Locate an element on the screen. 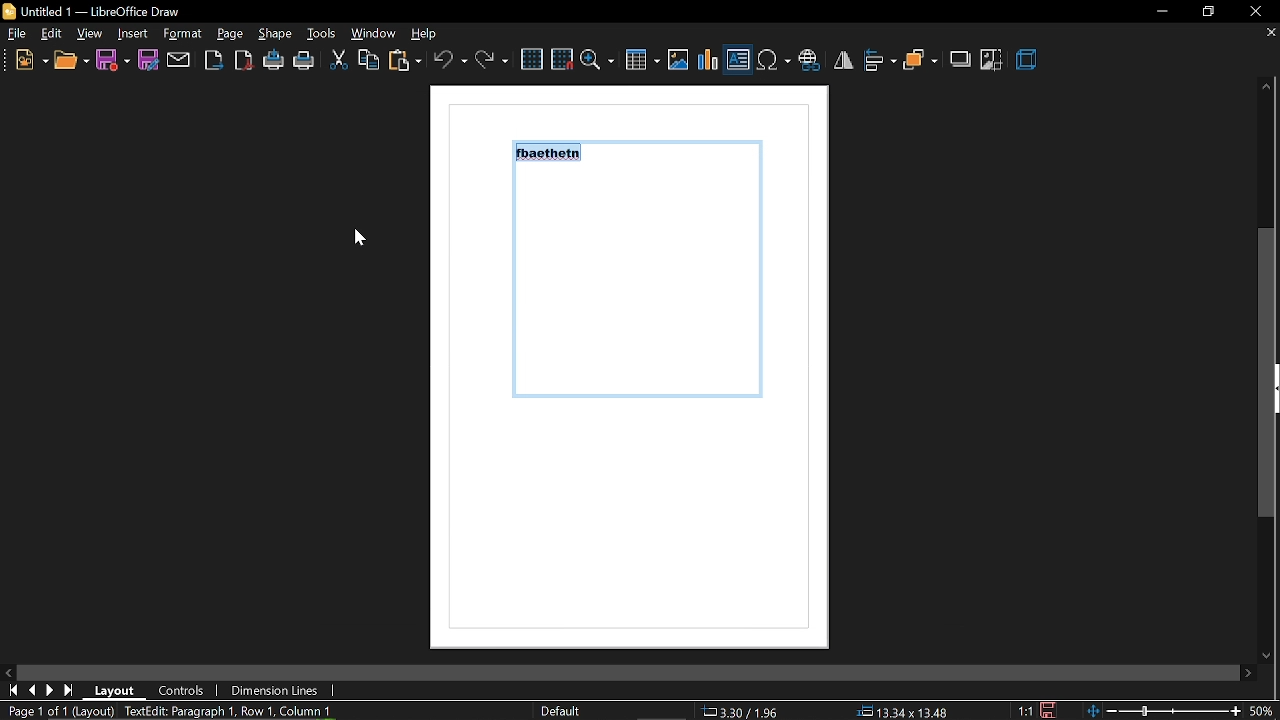  MOve left is located at coordinates (8, 671).